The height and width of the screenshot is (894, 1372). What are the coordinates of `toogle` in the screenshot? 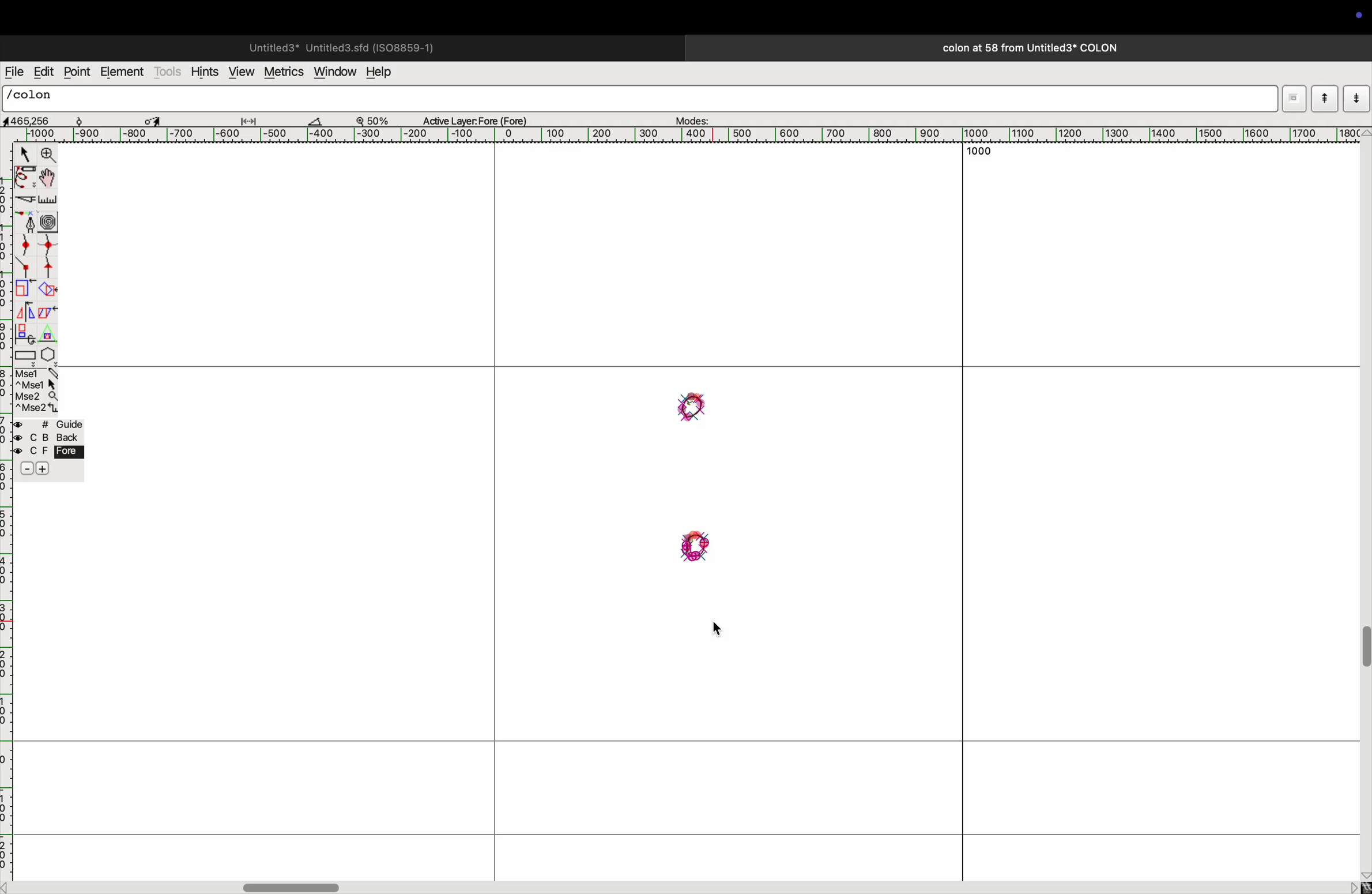 It's located at (1363, 654).